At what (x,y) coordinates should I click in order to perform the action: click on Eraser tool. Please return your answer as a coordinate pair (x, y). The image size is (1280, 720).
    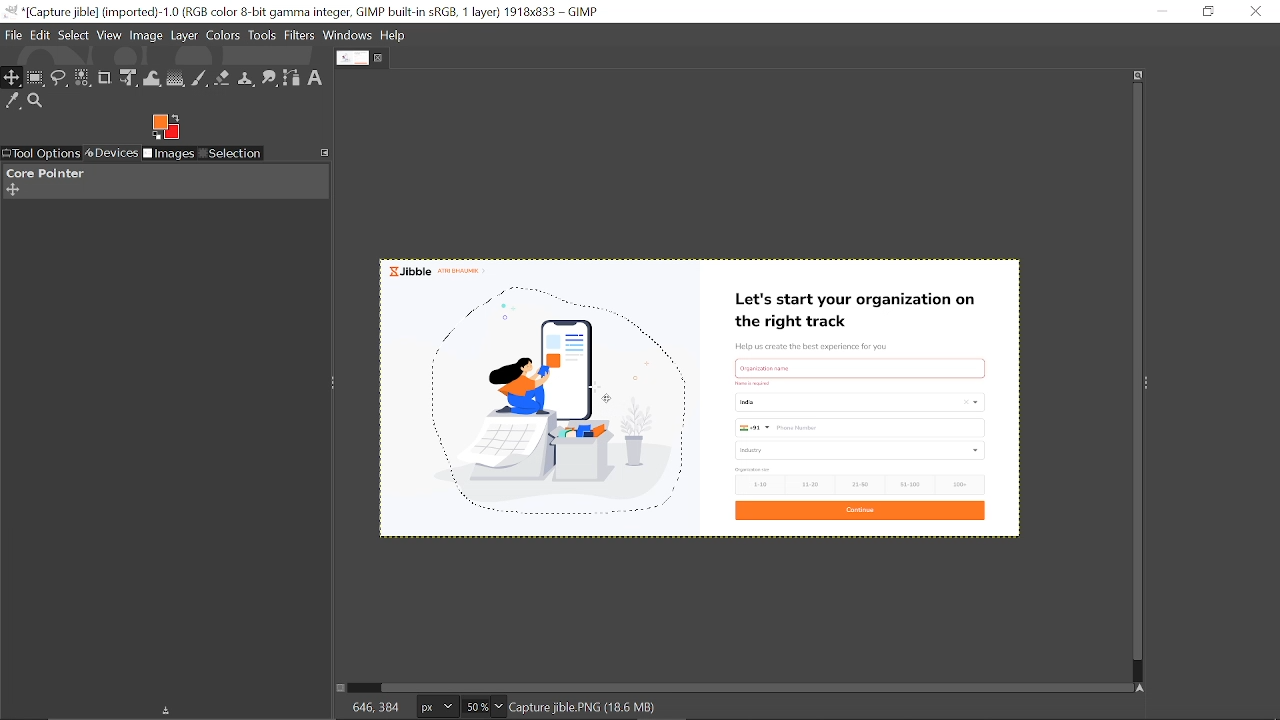
    Looking at the image, I should click on (222, 80).